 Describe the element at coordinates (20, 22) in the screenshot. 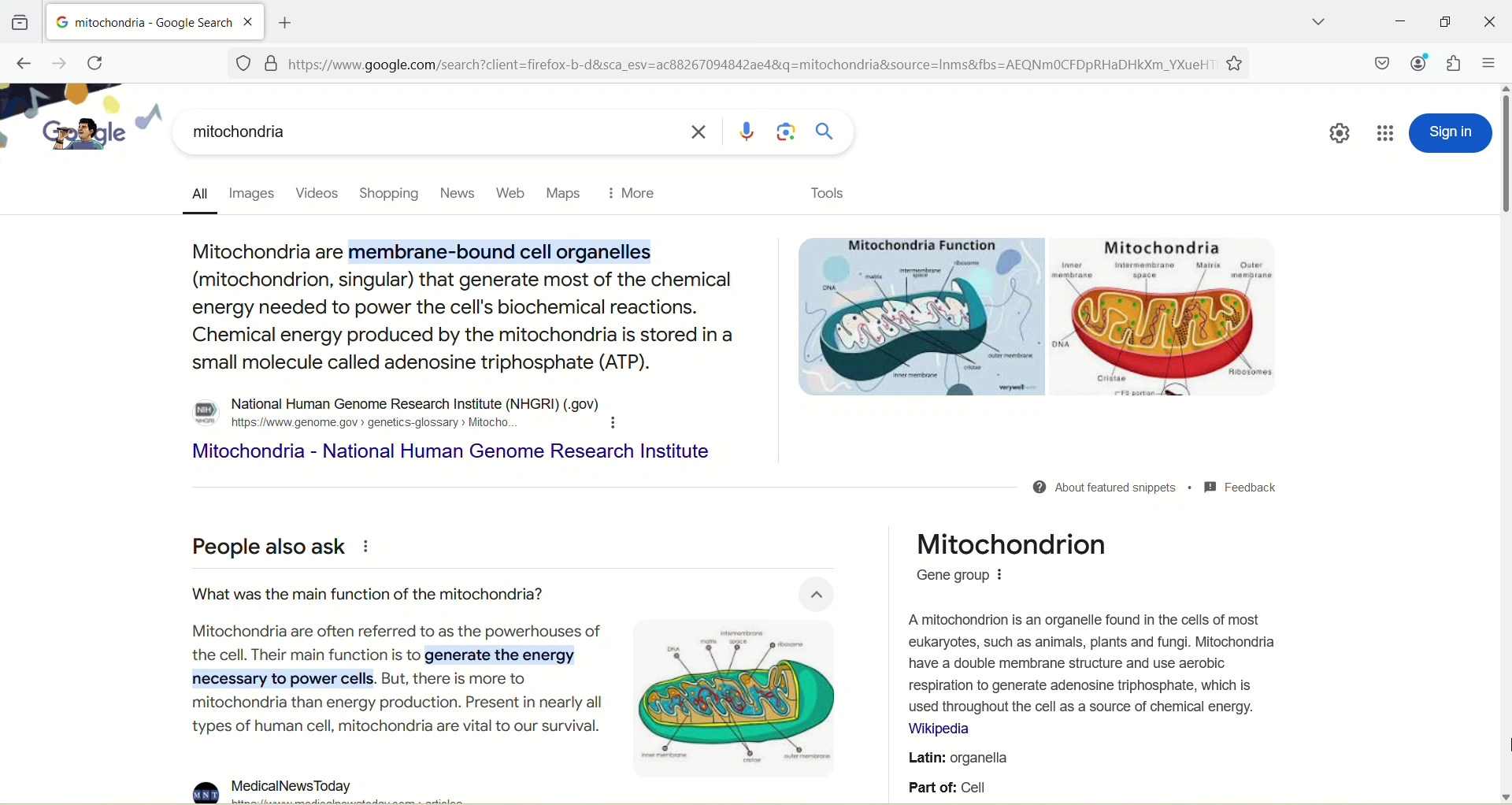

I see `view recent browsing across windows and devices` at that location.